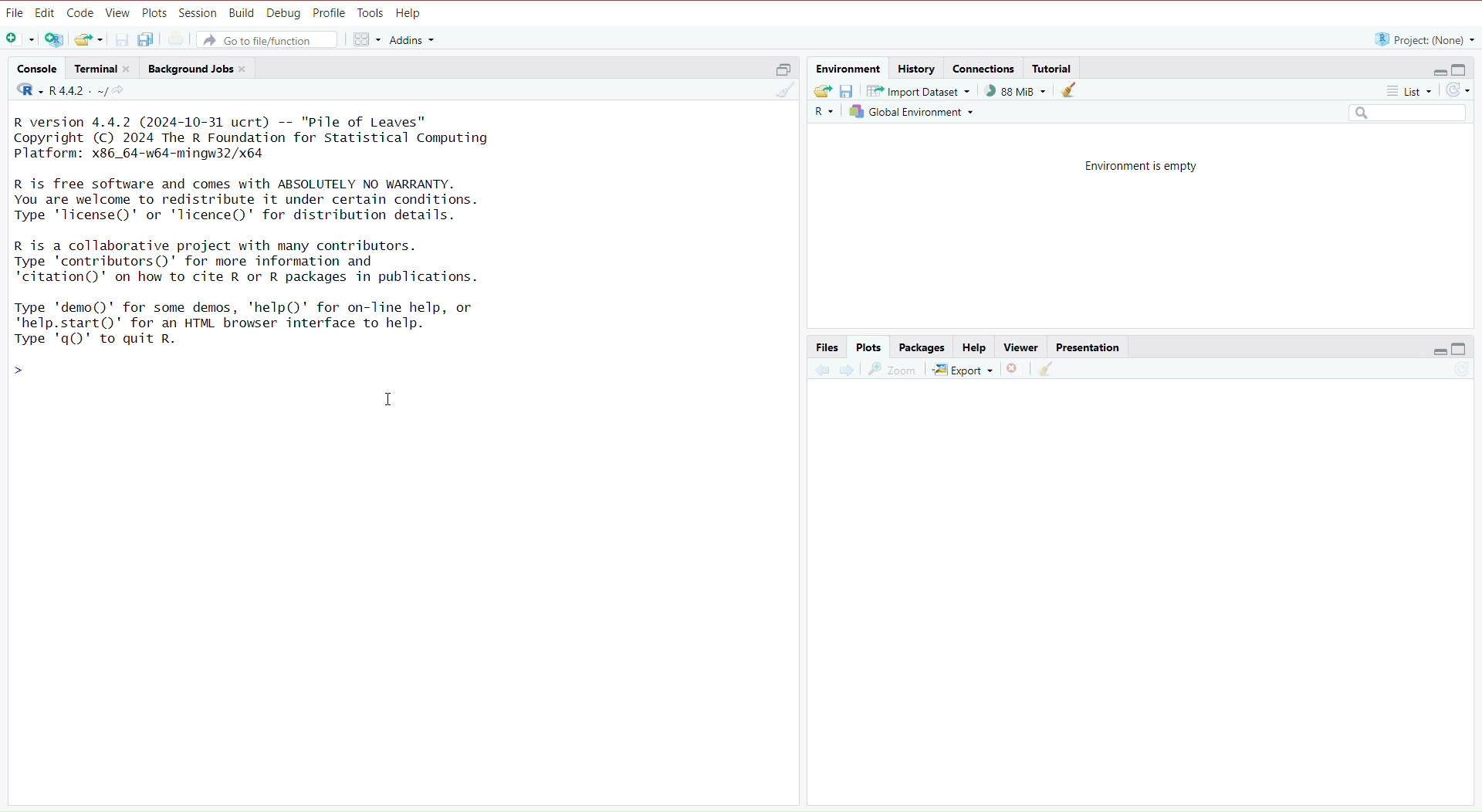 The image size is (1482, 812). I want to click on connections, so click(985, 70).